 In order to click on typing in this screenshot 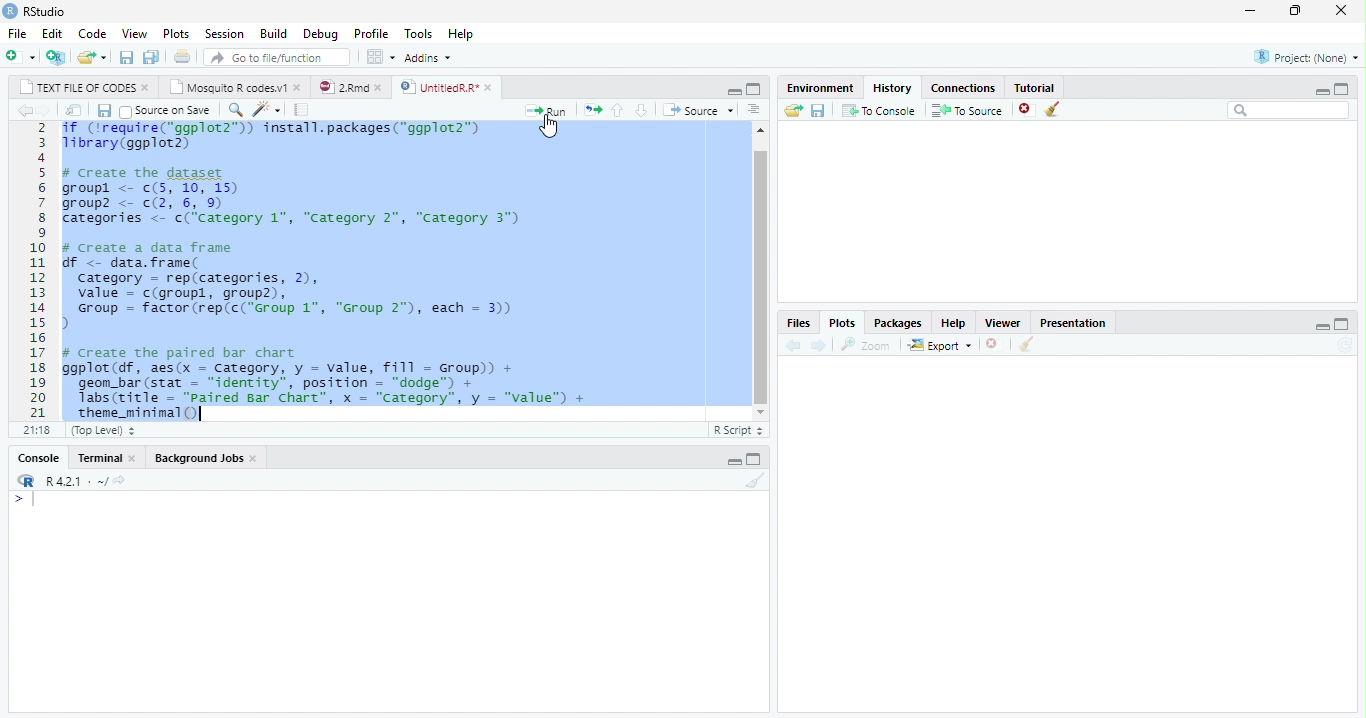, I will do `click(23, 499)`.